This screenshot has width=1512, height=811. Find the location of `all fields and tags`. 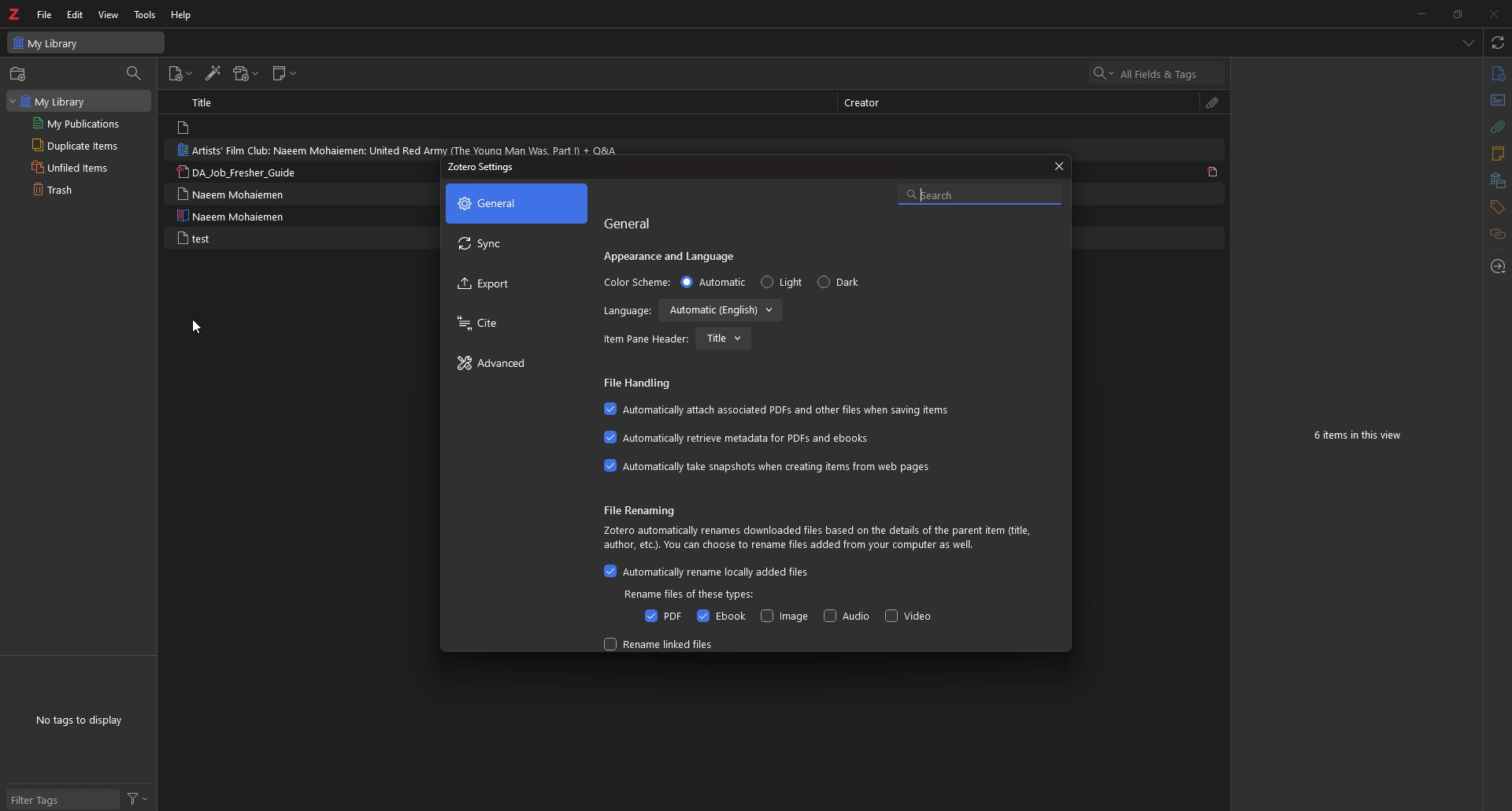

all fields and tags is located at coordinates (1158, 74).